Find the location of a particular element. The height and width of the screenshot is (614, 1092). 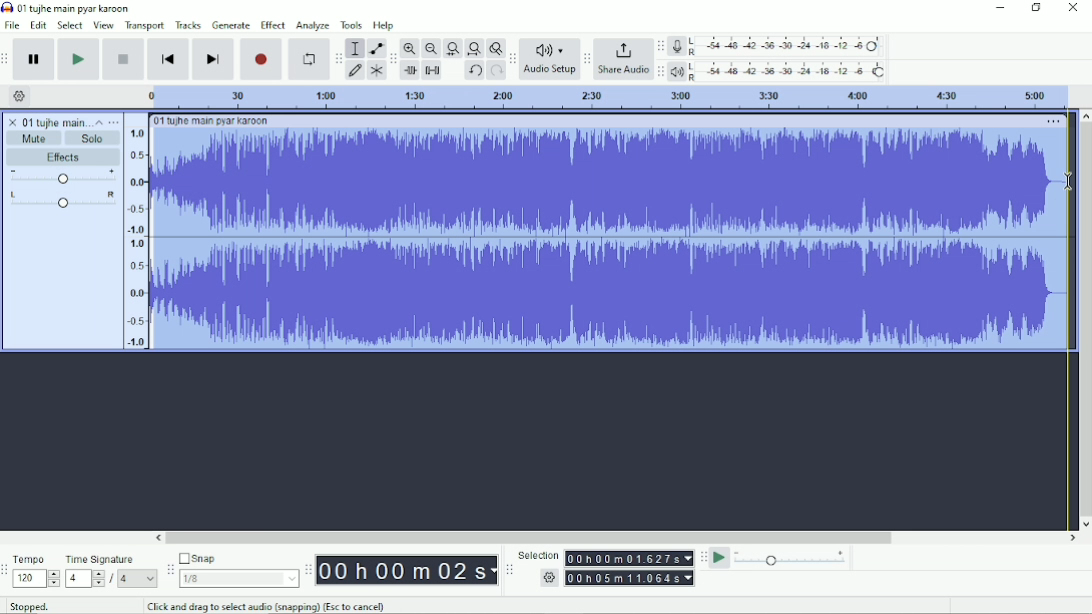

Audacity edit toolbar is located at coordinates (392, 59).